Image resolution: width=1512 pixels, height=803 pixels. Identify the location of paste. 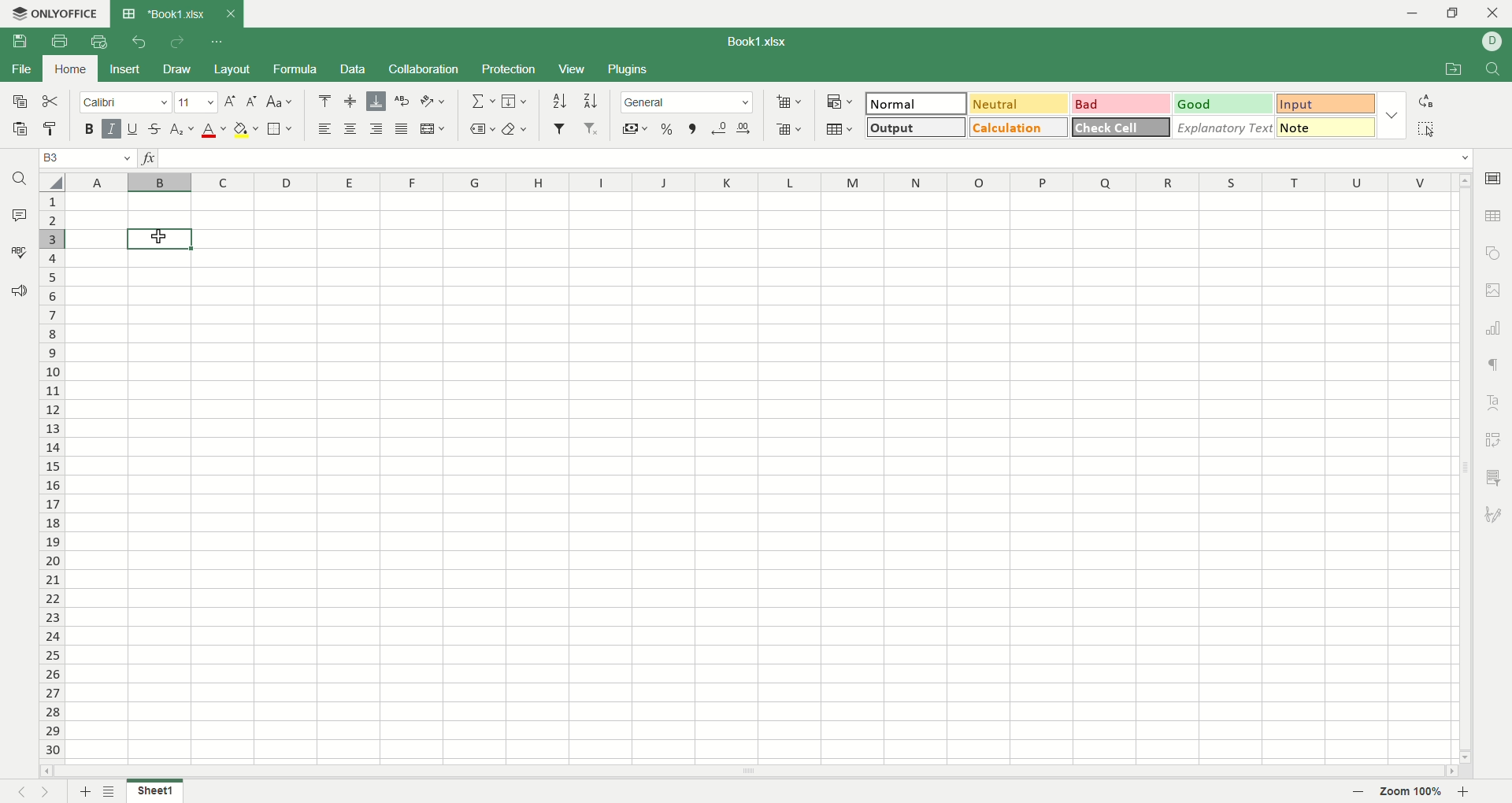
(18, 128).